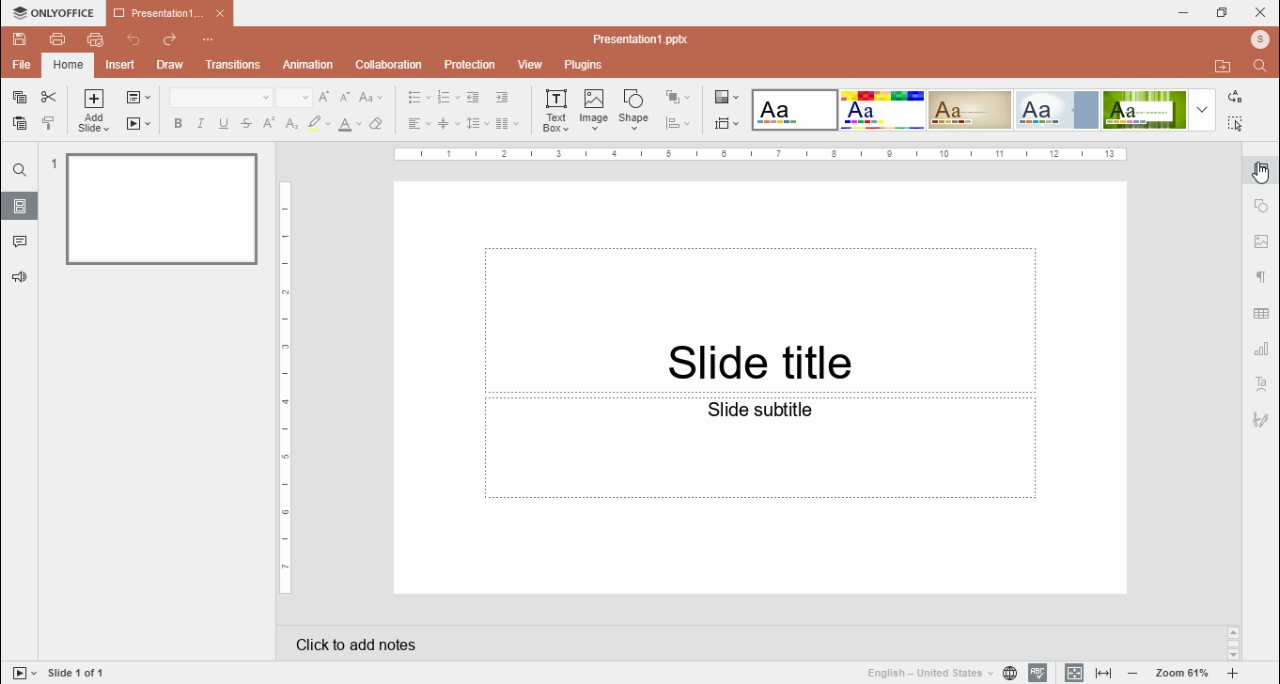 The image size is (1280, 684). Describe the element at coordinates (1184, 13) in the screenshot. I see `minimize` at that location.